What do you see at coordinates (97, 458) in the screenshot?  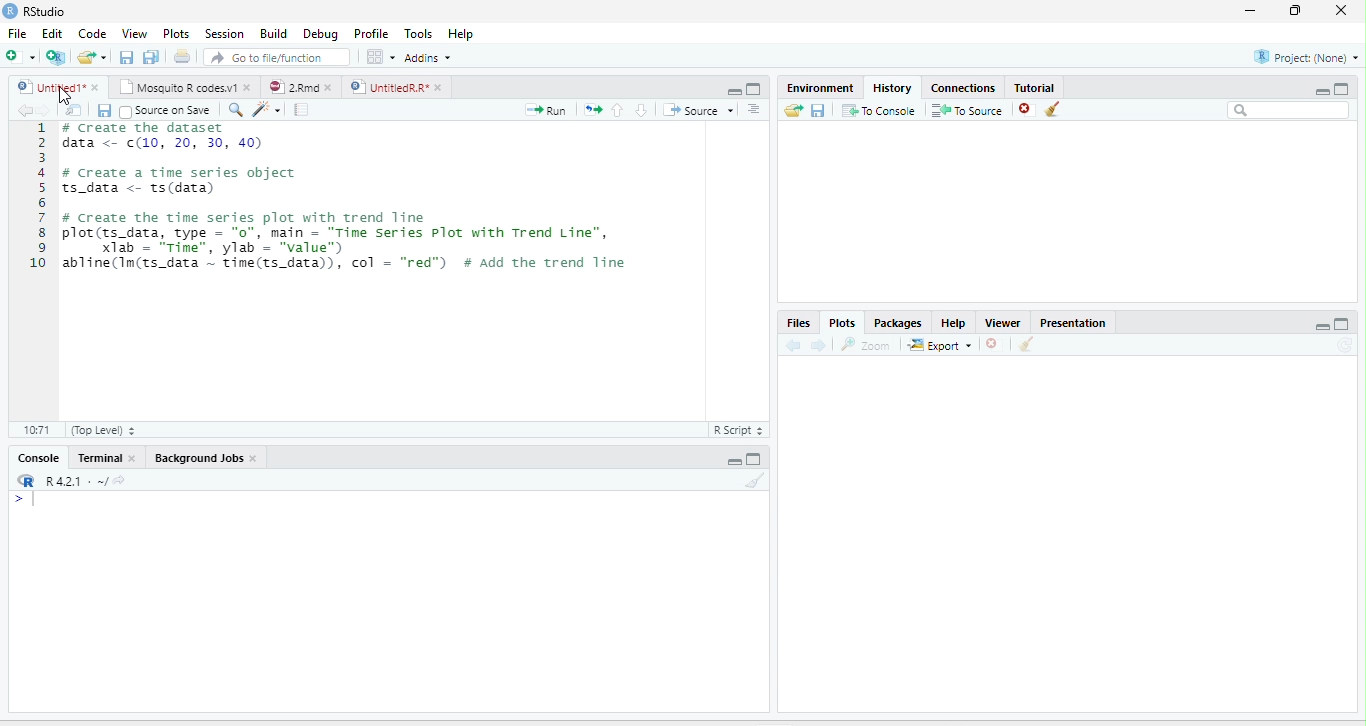 I see `Terminal` at bounding box center [97, 458].